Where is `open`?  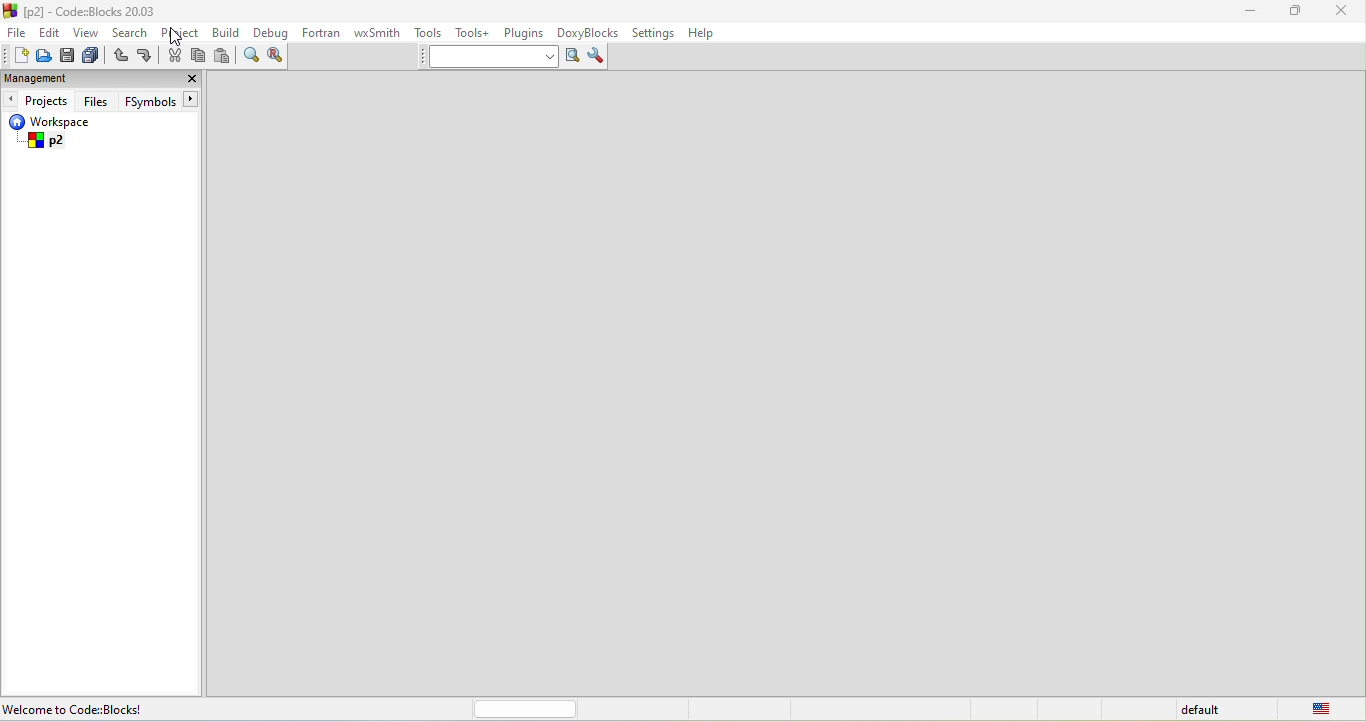
open is located at coordinates (41, 59).